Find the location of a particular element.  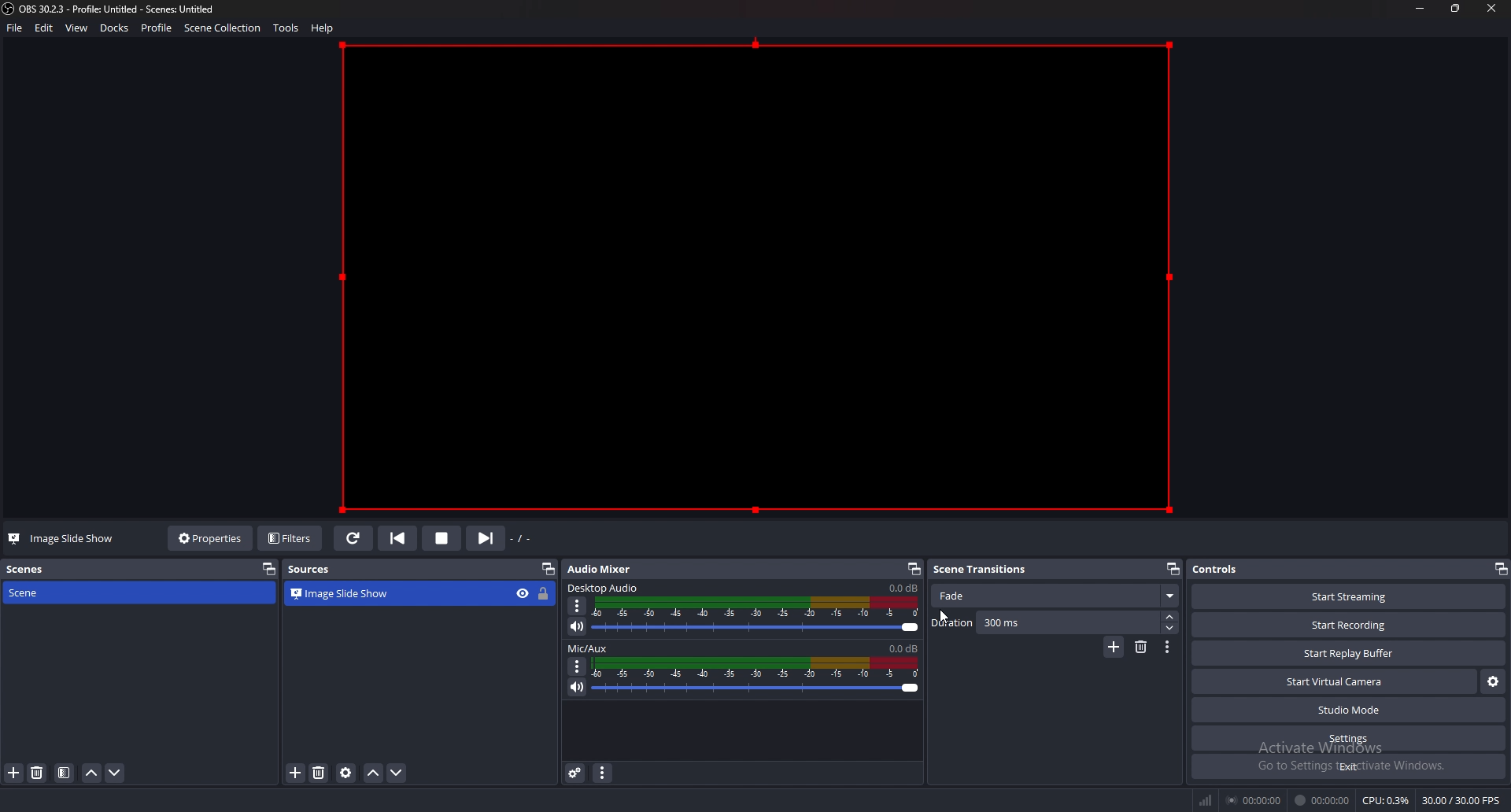

audio mixer is located at coordinates (608, 568).